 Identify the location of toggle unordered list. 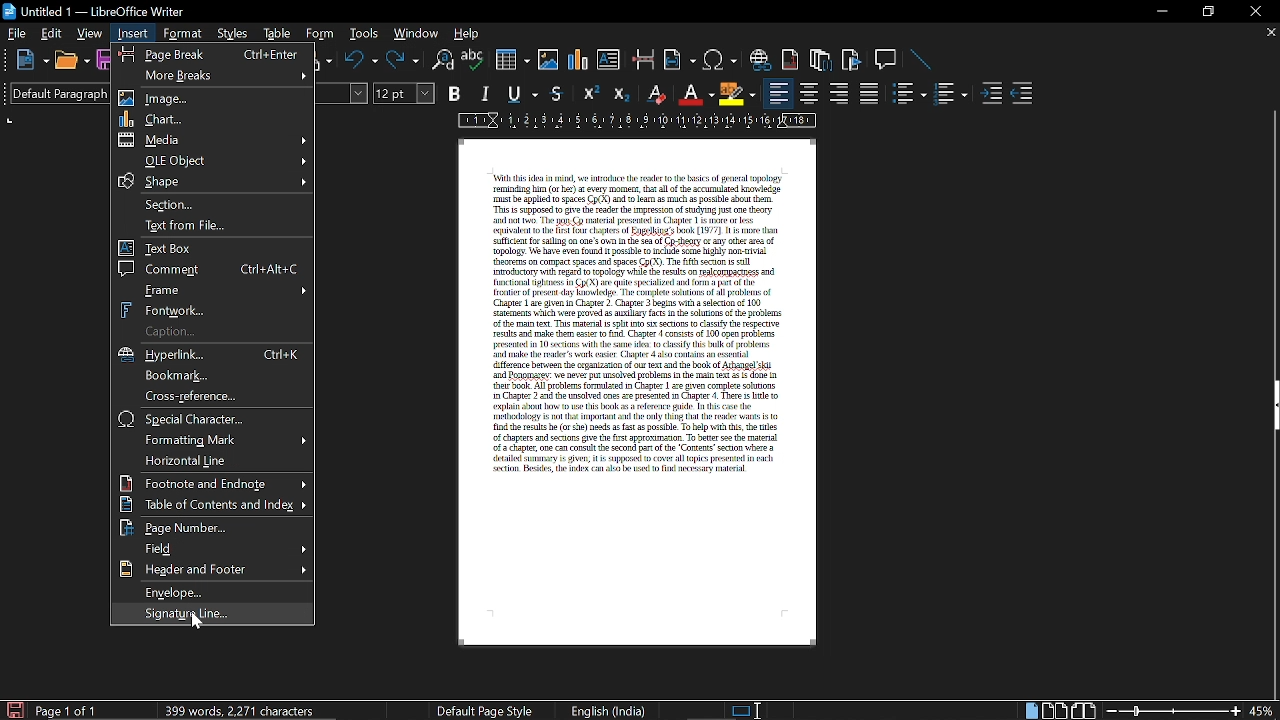
(908, 95).